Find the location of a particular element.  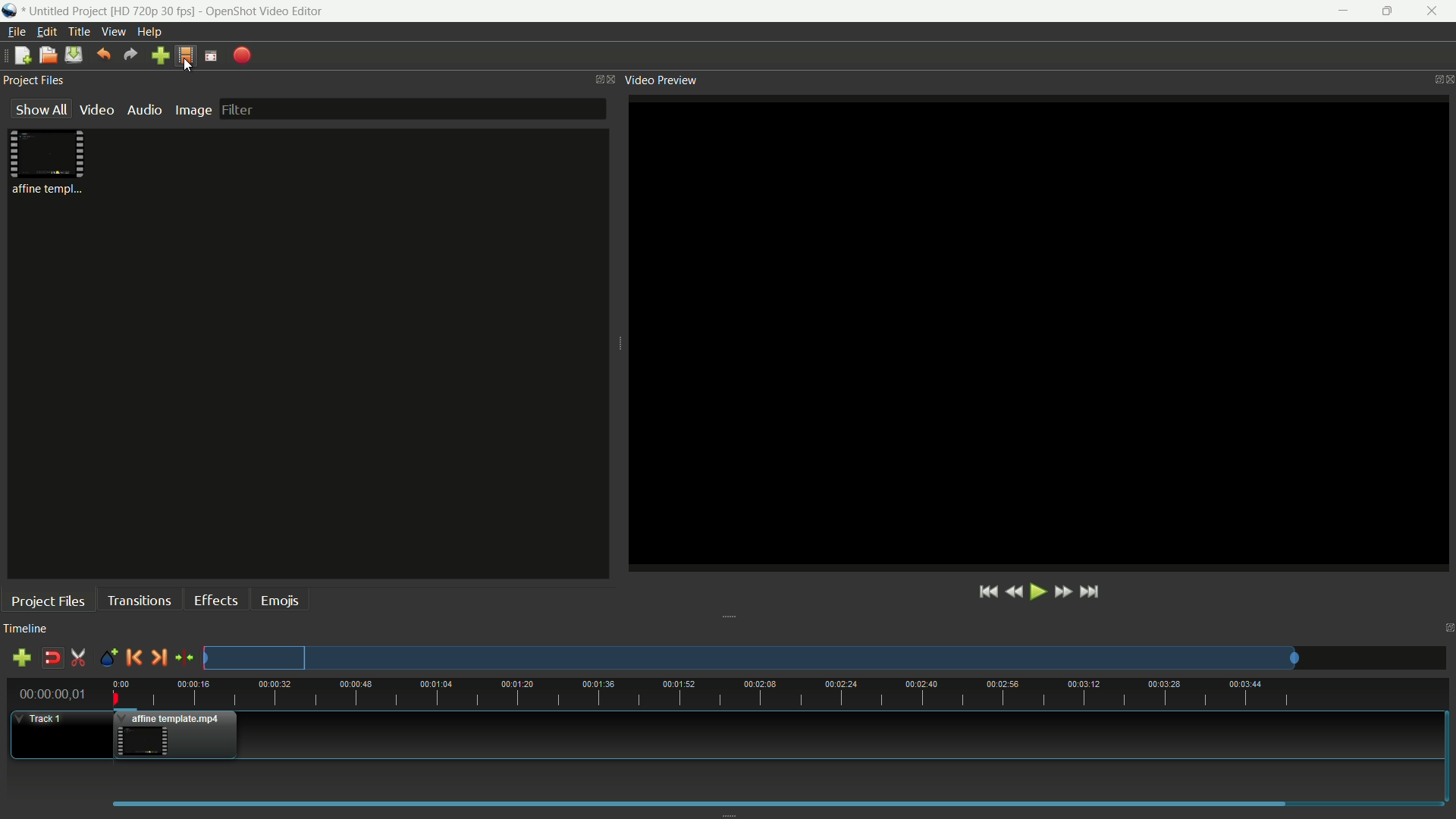

undo is located at coordinates (103, 55).